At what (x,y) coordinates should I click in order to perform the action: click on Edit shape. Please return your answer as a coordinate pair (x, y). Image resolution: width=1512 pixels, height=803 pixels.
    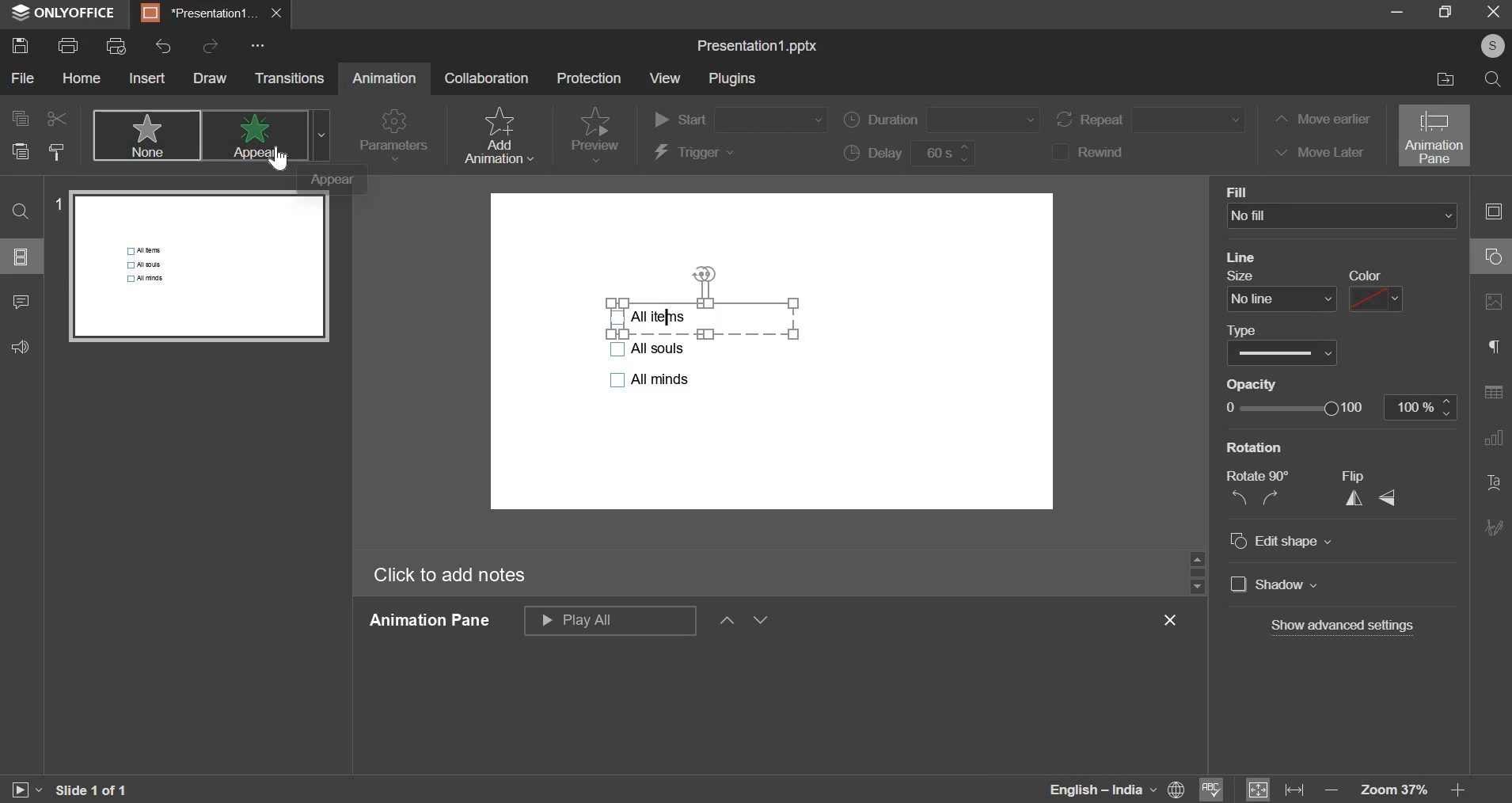
    Looking at the image, I should click on (1282, 541).